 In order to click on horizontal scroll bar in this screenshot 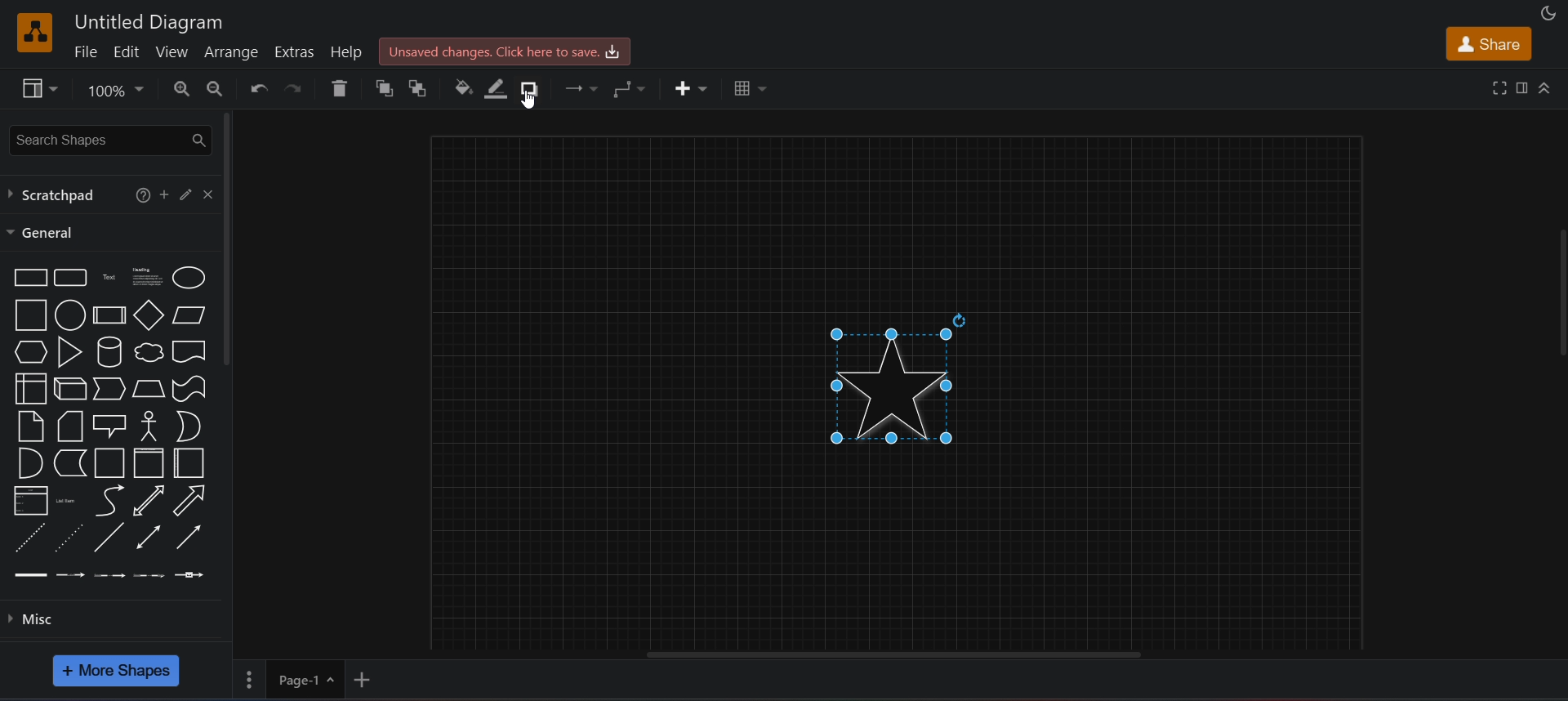, I will do `click(899, 658)`.